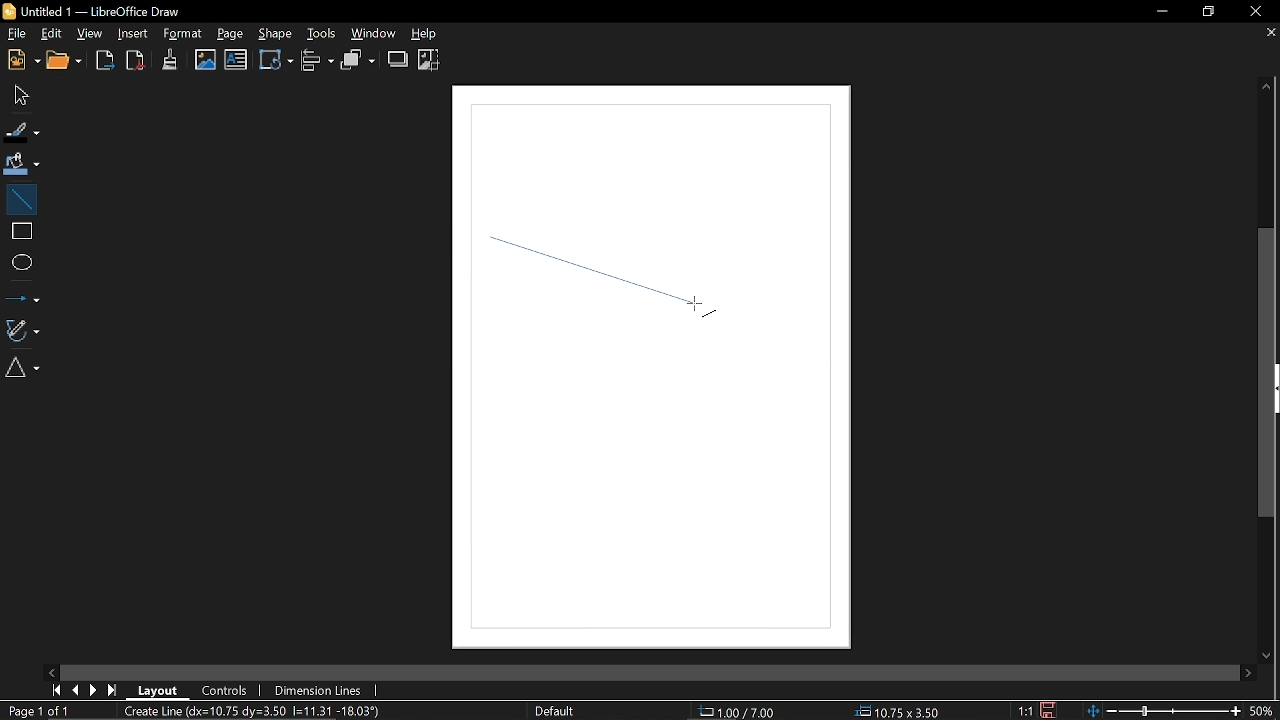  Describe the element at coordinates (1264, 711) in the screenshot. I see `Current zoom` at that location.